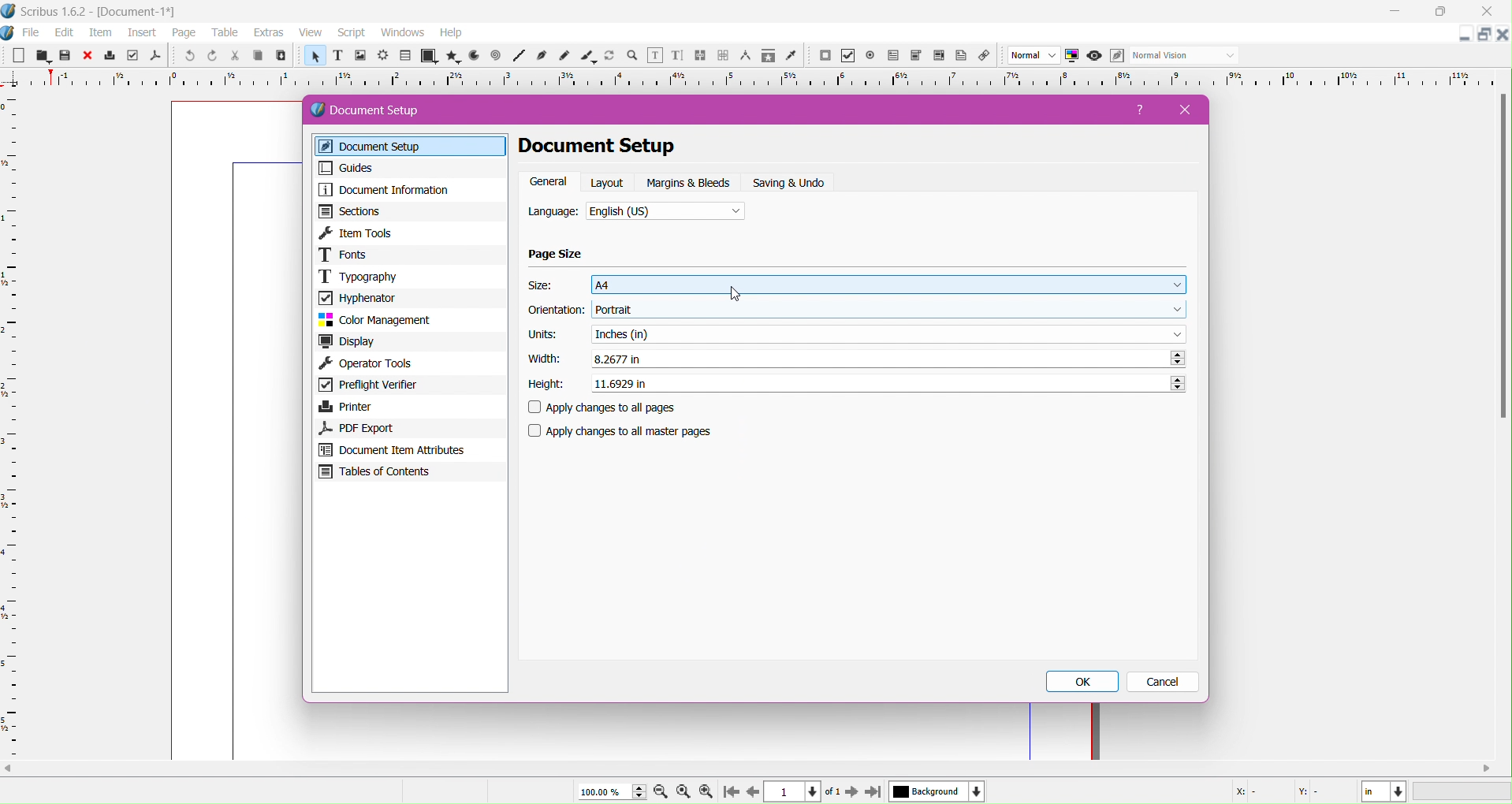 This screenshot has width=1512, height=804. I want to click on 100.00%, so click(605, 791).